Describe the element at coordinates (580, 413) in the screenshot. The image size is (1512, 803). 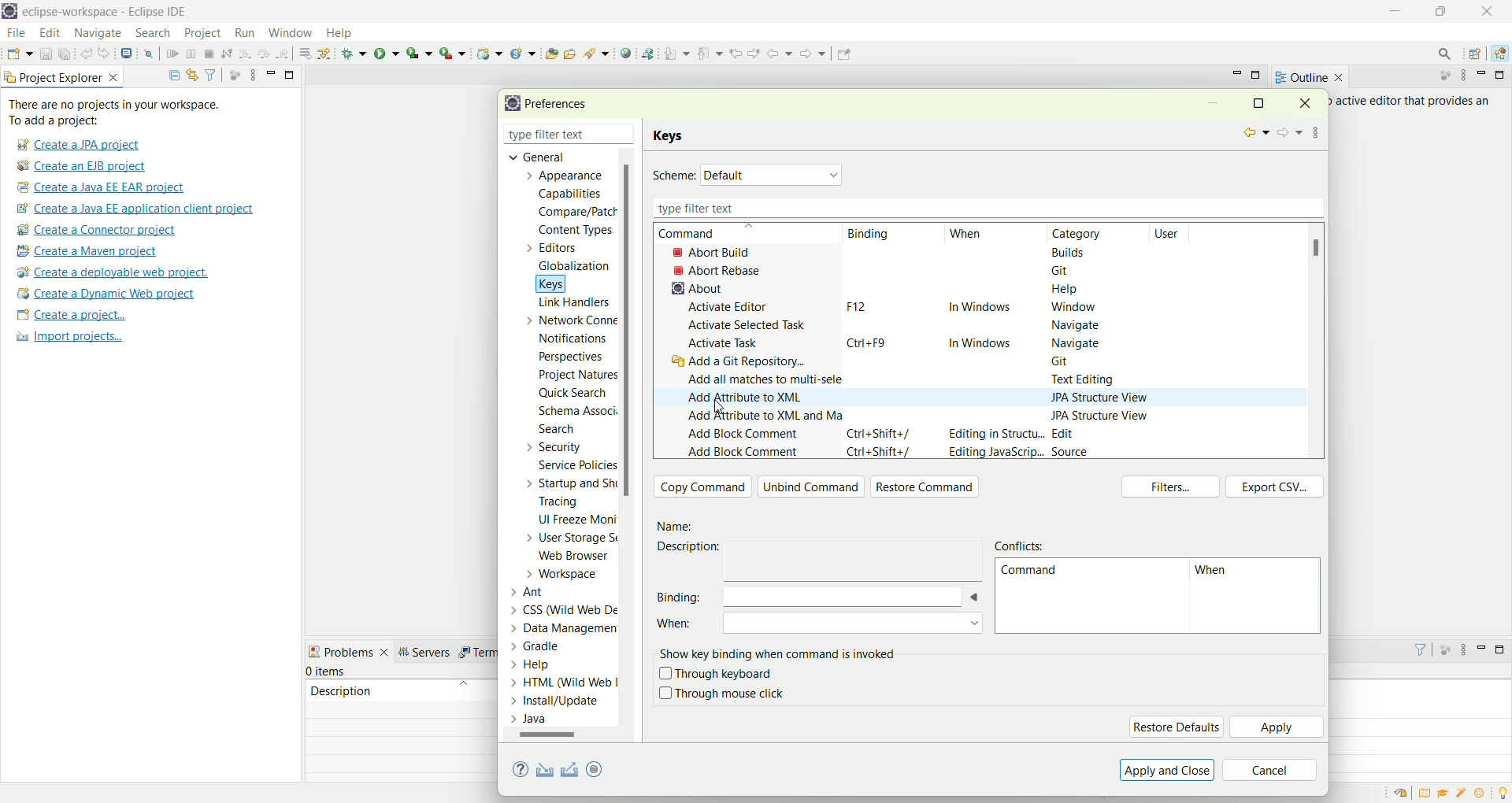
I see `schema association` at that location.